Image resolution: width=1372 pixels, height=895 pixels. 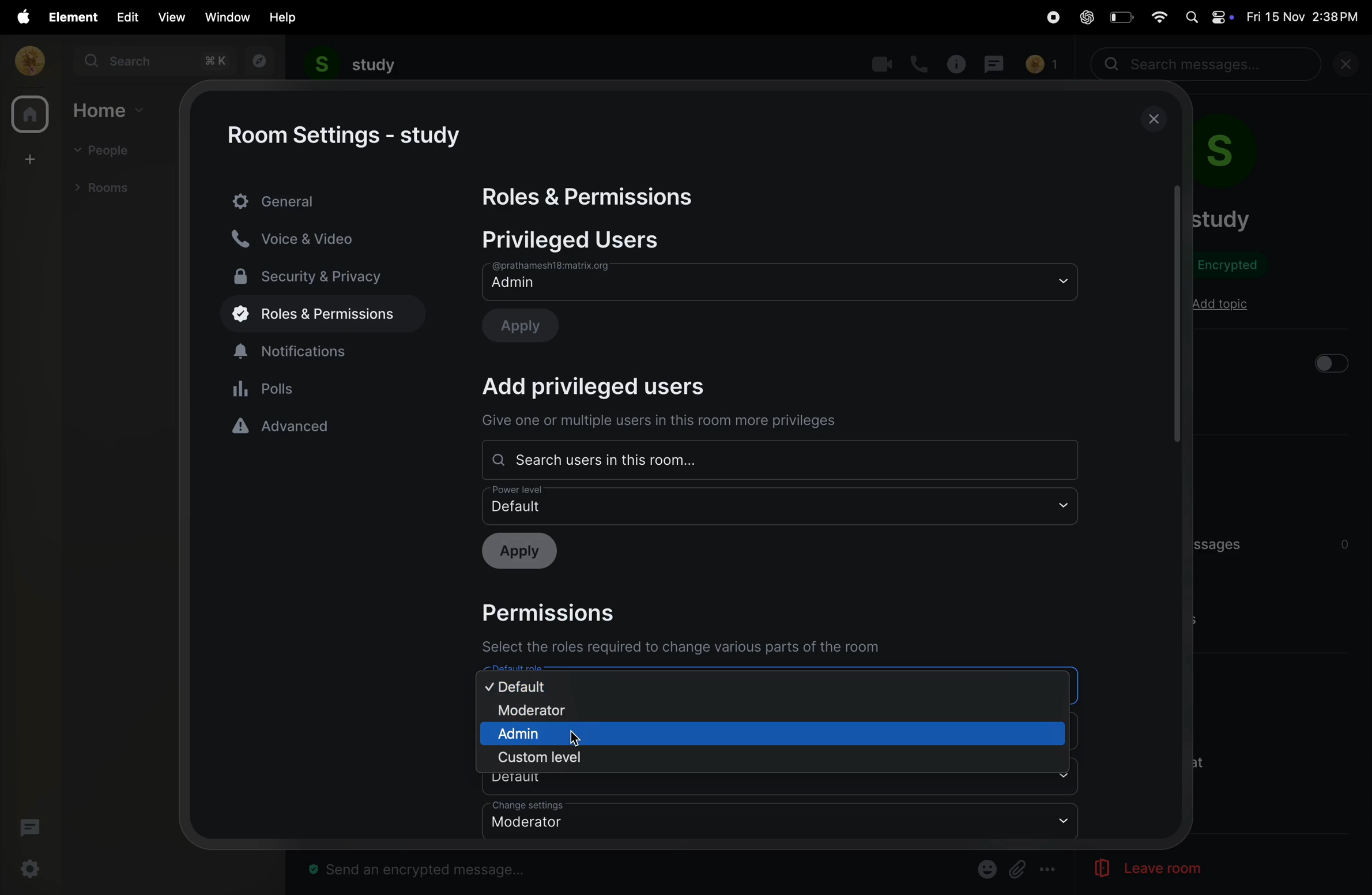 I want to click on room name , so click(x=1222, y=219).